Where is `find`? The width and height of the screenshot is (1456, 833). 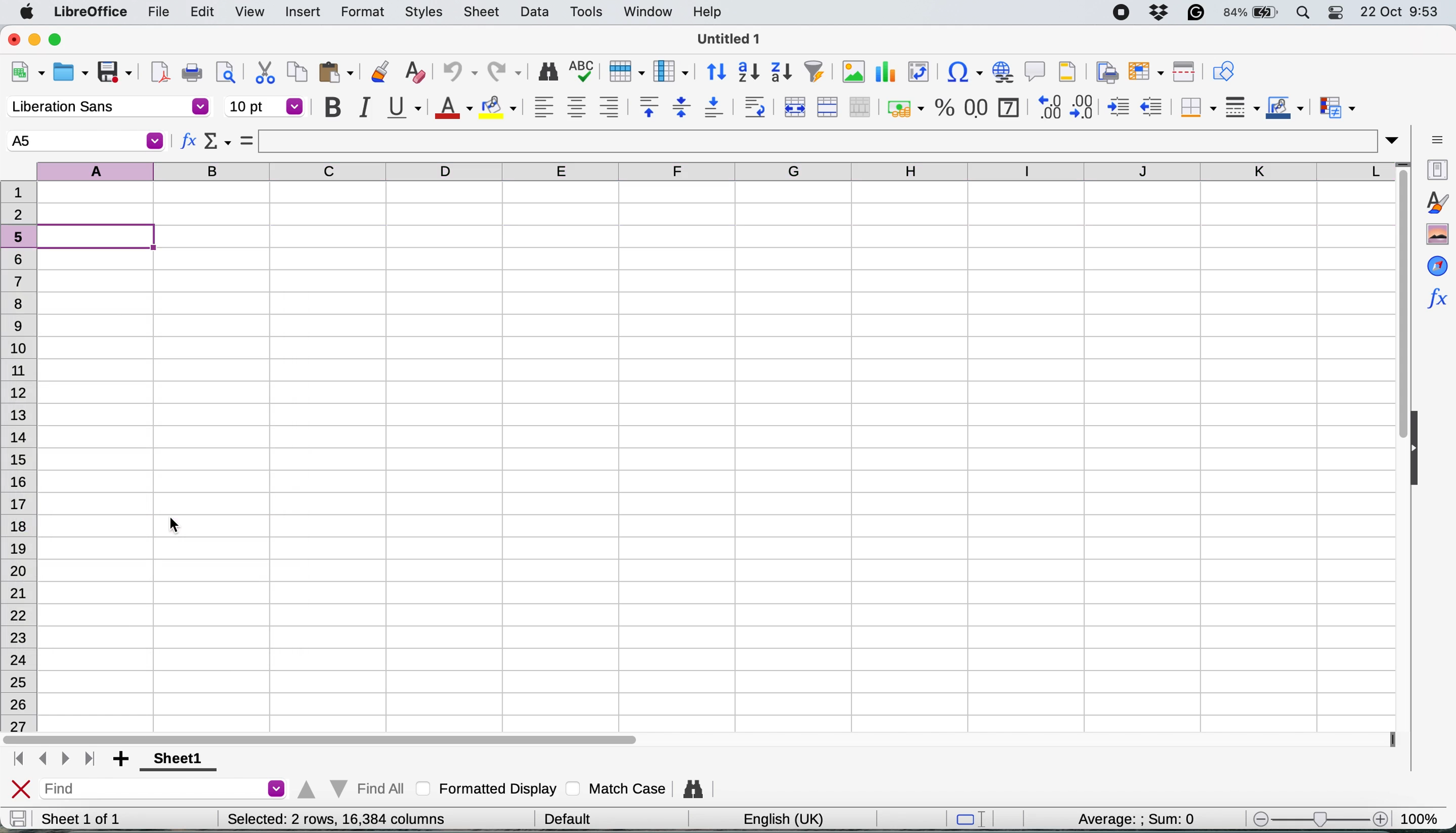 find is located at coordinates (166, 790).